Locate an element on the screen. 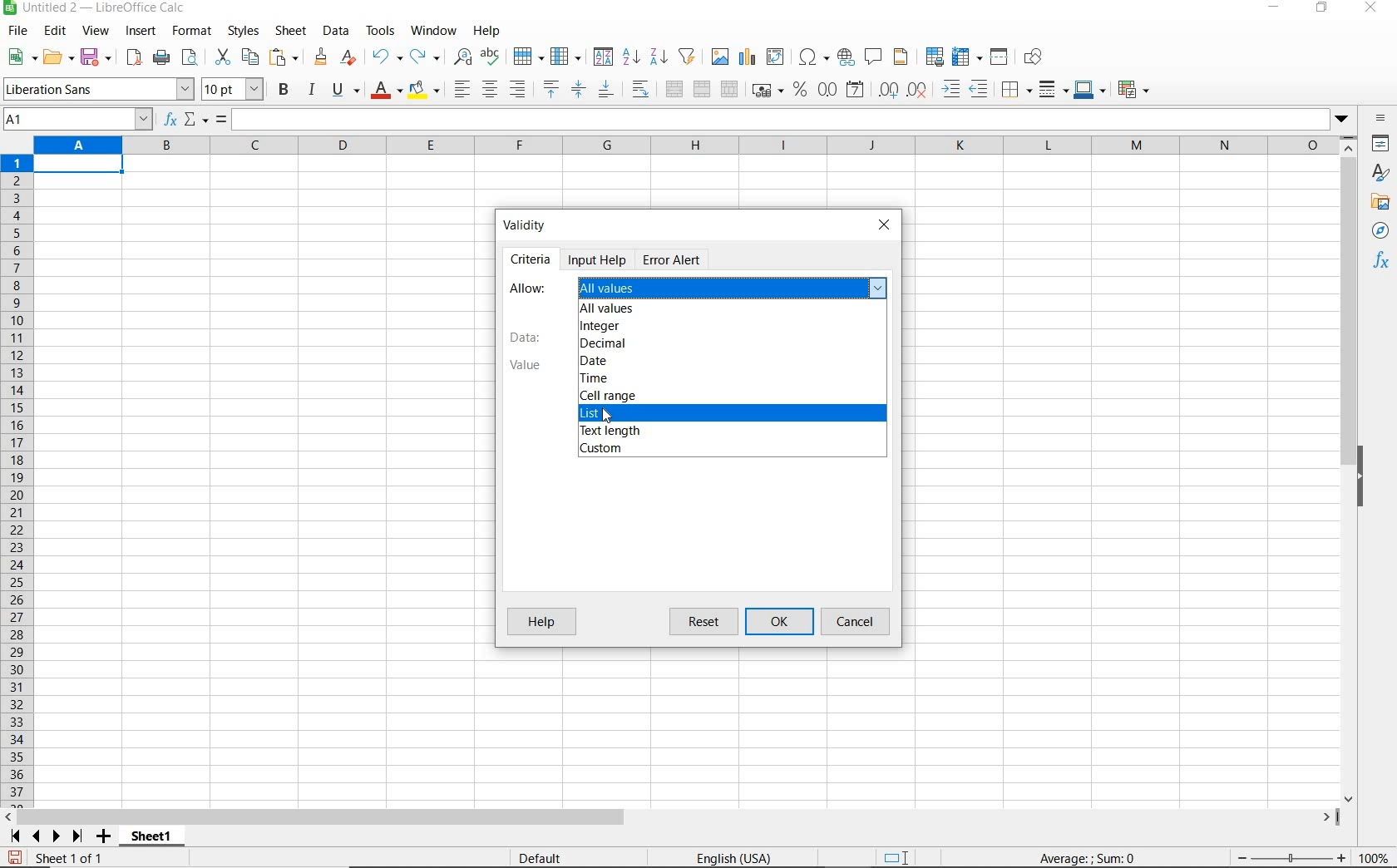  merge and center or unmerge cells is located at coordinates (674, 90).